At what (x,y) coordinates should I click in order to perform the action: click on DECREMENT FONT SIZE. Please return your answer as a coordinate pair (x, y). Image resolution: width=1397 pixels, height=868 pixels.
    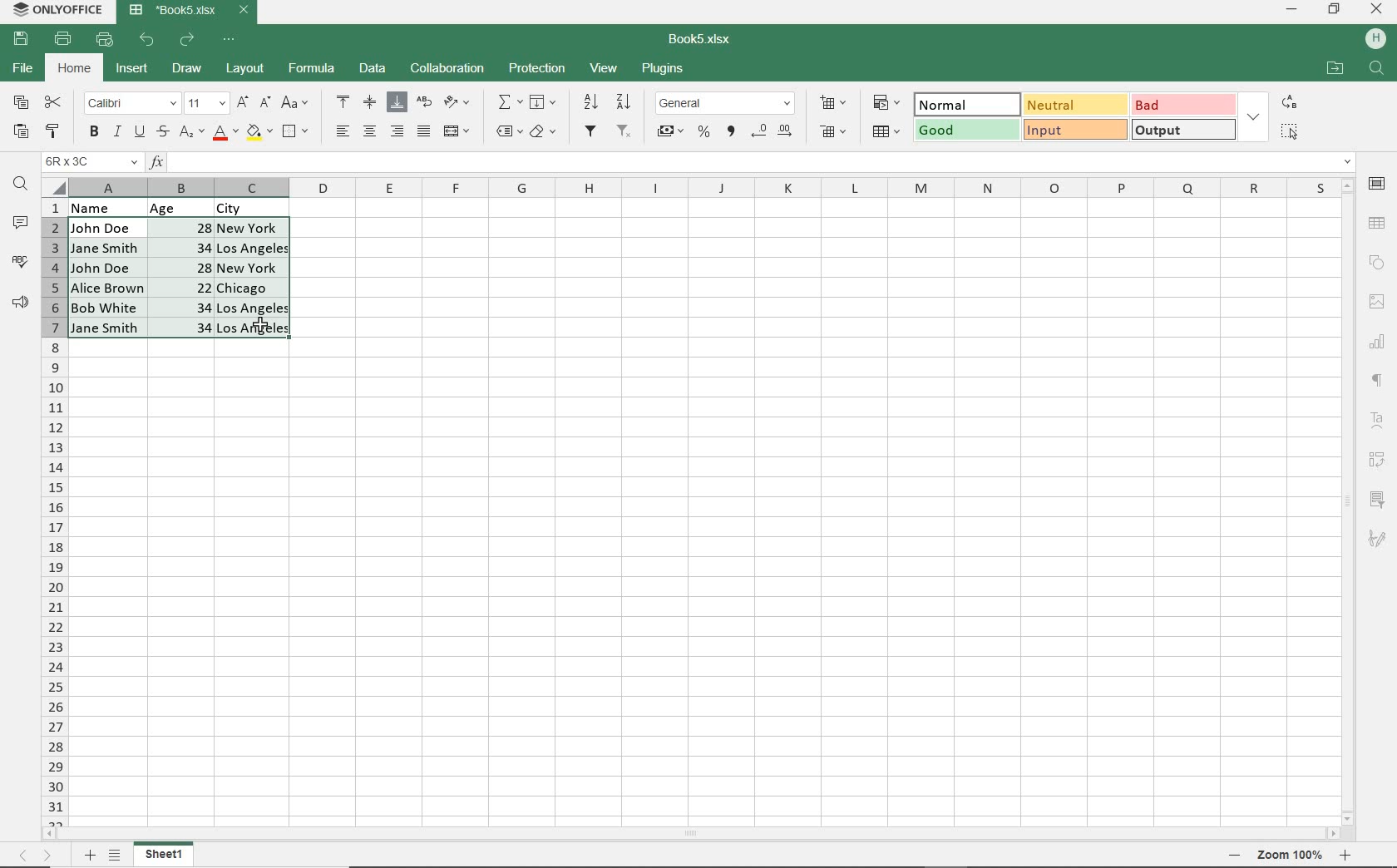
    Looking at the image, I should click on (265, 101).